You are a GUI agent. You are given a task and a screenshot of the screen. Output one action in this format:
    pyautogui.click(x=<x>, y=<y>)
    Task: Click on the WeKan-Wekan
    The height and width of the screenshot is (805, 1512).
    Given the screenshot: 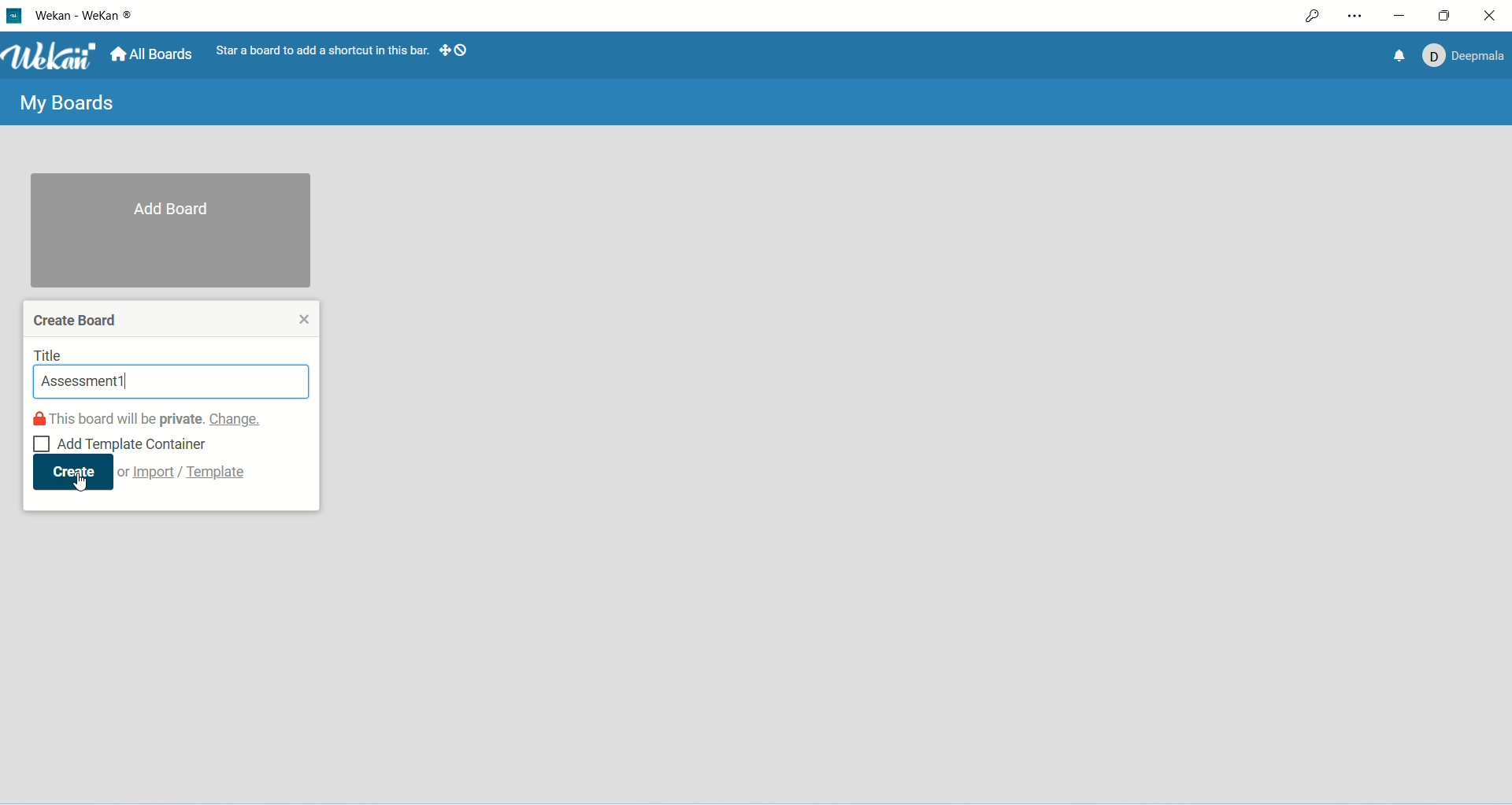 What is the action you would take?
    pyautogui.click(x=87, y=18)
    